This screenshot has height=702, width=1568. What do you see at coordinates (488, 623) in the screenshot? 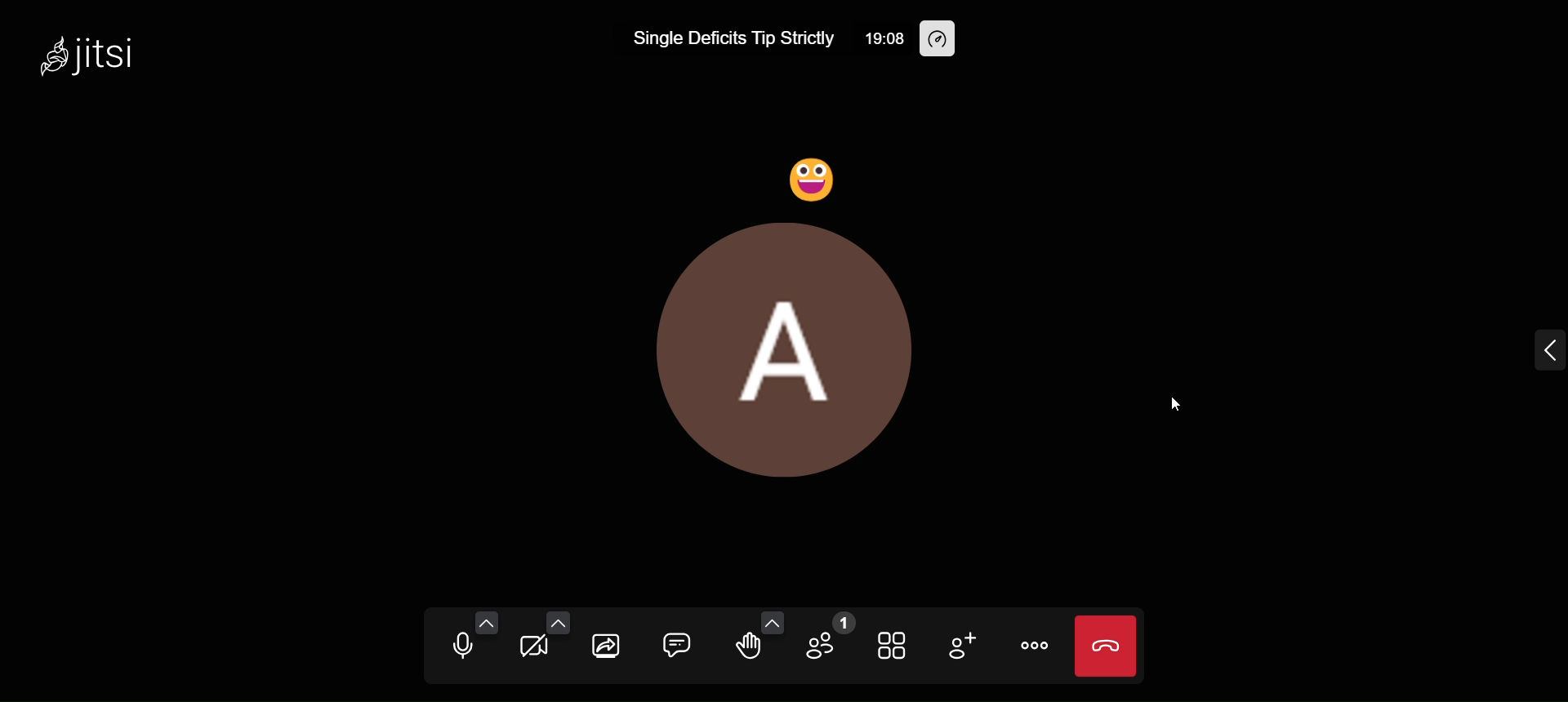
I see `audio setting` at bounding box center [488, 623].